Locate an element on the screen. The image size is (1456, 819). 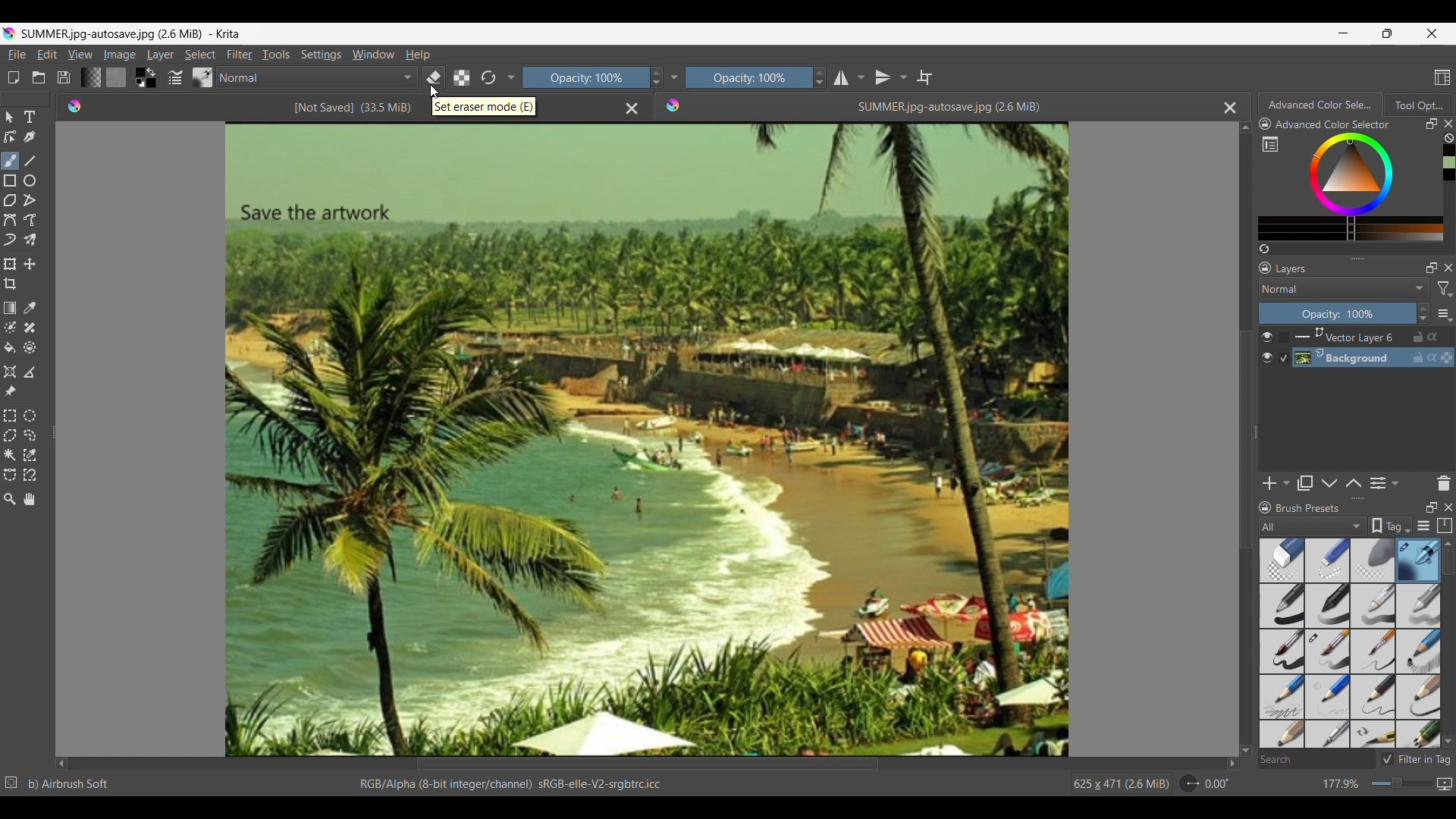
625 x 471 (2.6 MiB) is located at coordinates (1119, 784).